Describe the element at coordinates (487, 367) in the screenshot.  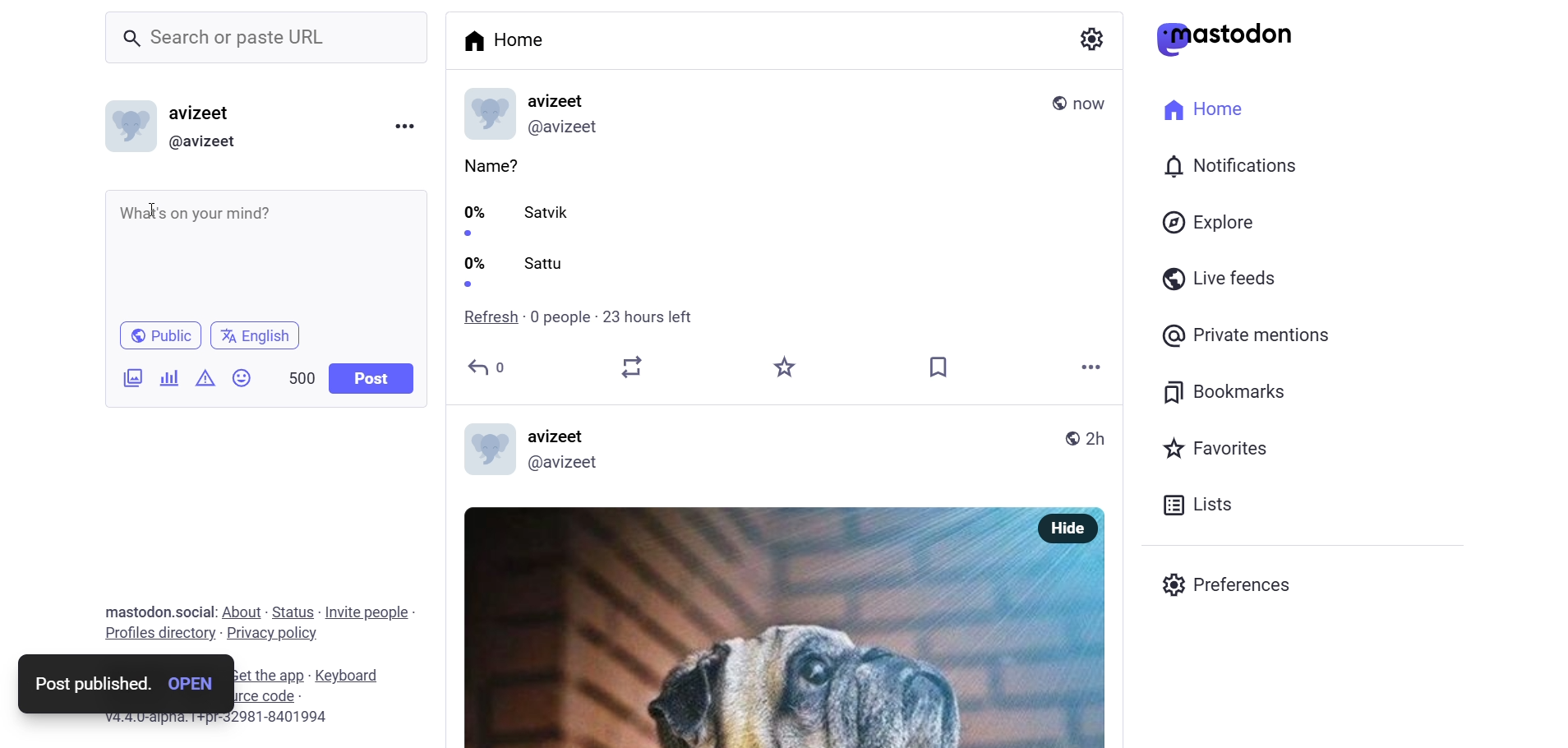
I see `reply` at that location.